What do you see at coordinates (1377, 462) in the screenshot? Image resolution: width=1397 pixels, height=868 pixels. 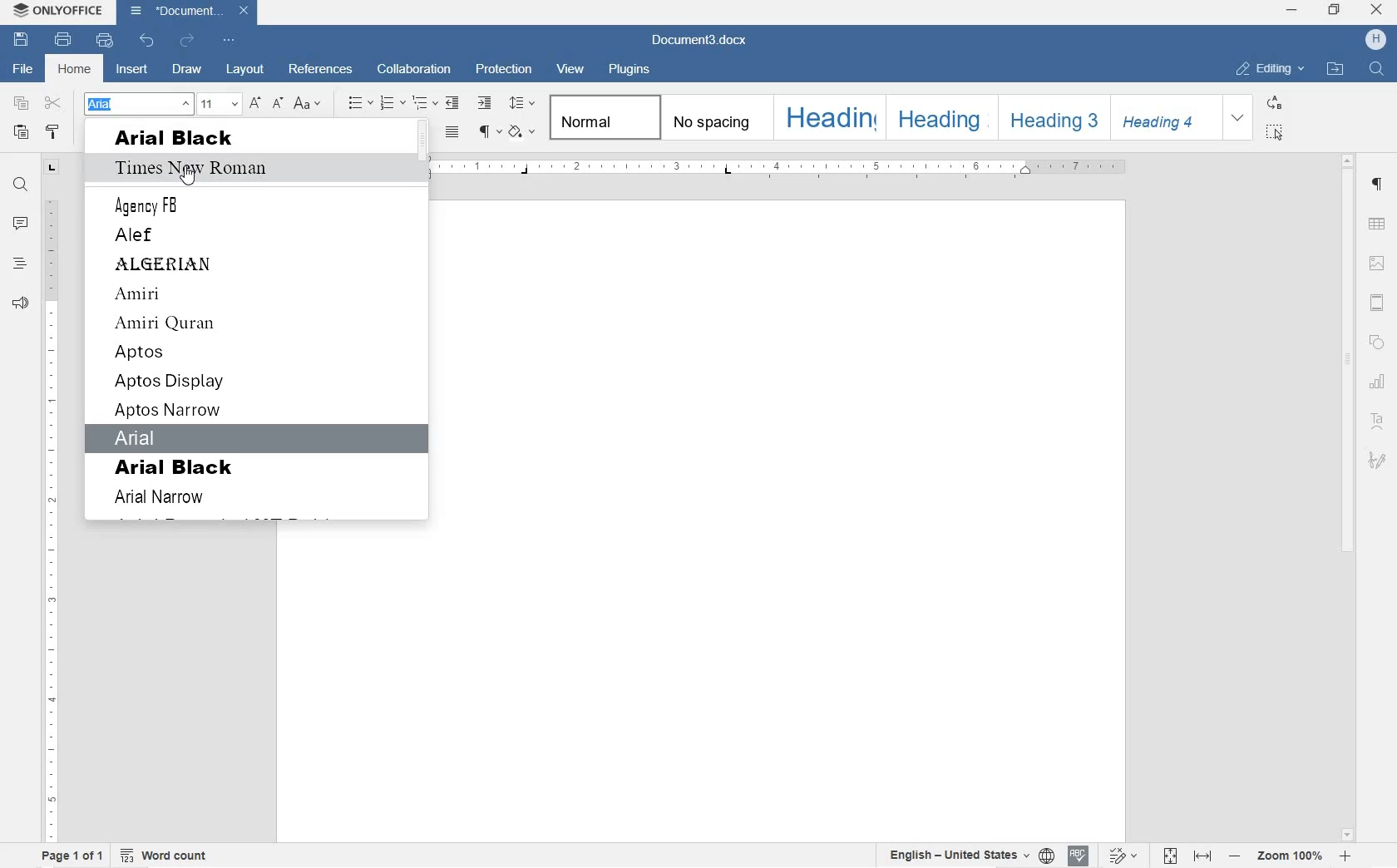 I see `SIGNATURE` at bounding box center [1377, 462].